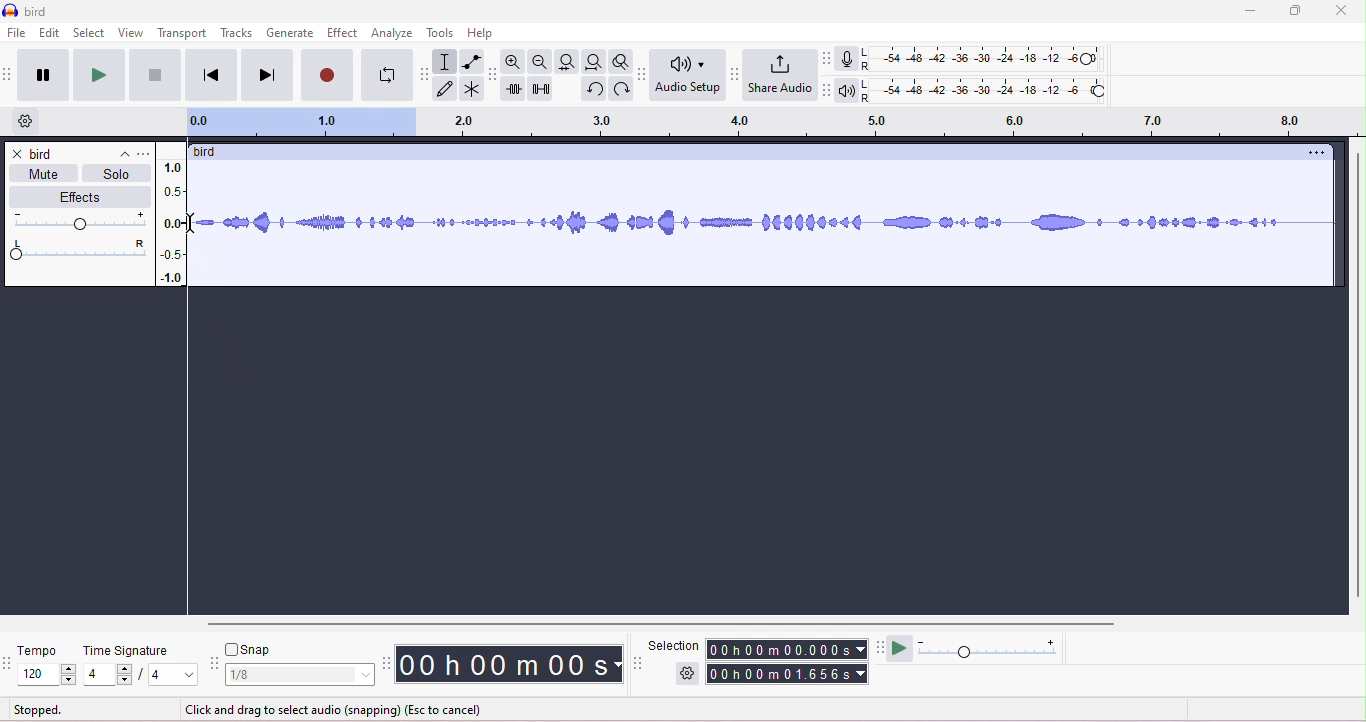 This screenshot has width=1366, height=722. Describe the element at coordinates (301, 675) in the screenshot. I see `1/8 (select snap)` at that location.